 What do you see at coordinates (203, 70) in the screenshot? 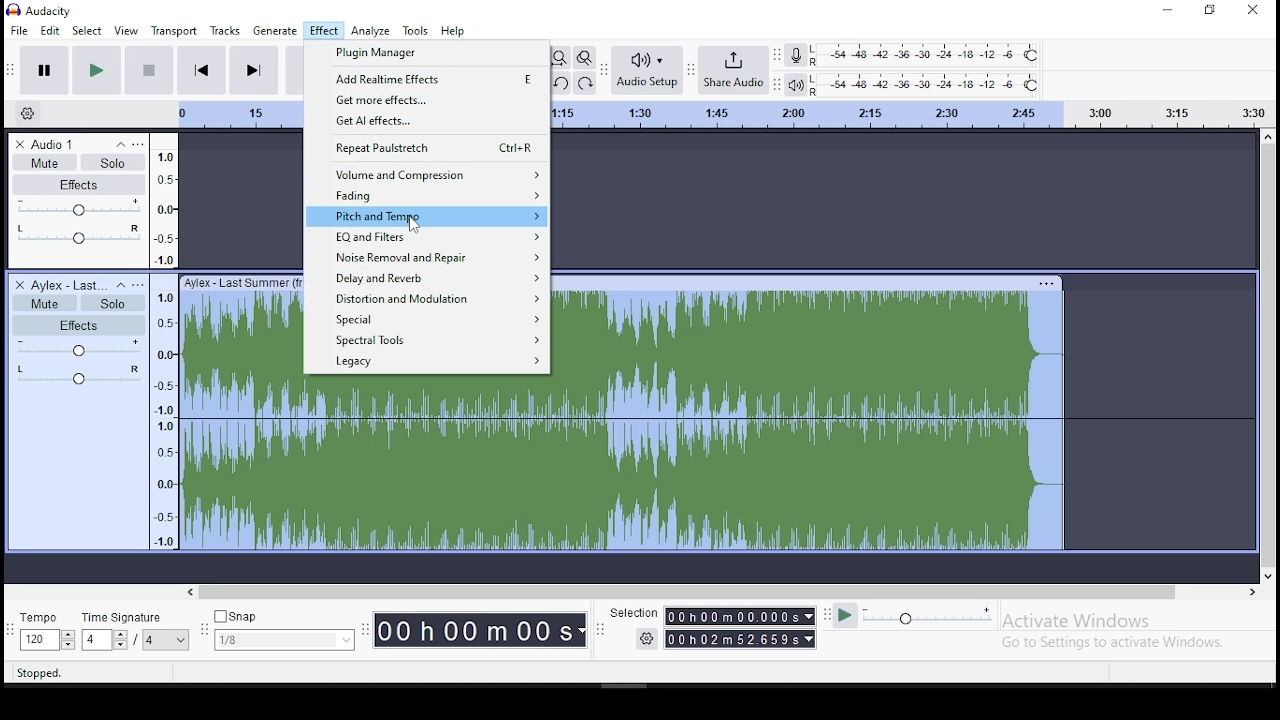
I see `skip to start` at bounding box center [203, 70].